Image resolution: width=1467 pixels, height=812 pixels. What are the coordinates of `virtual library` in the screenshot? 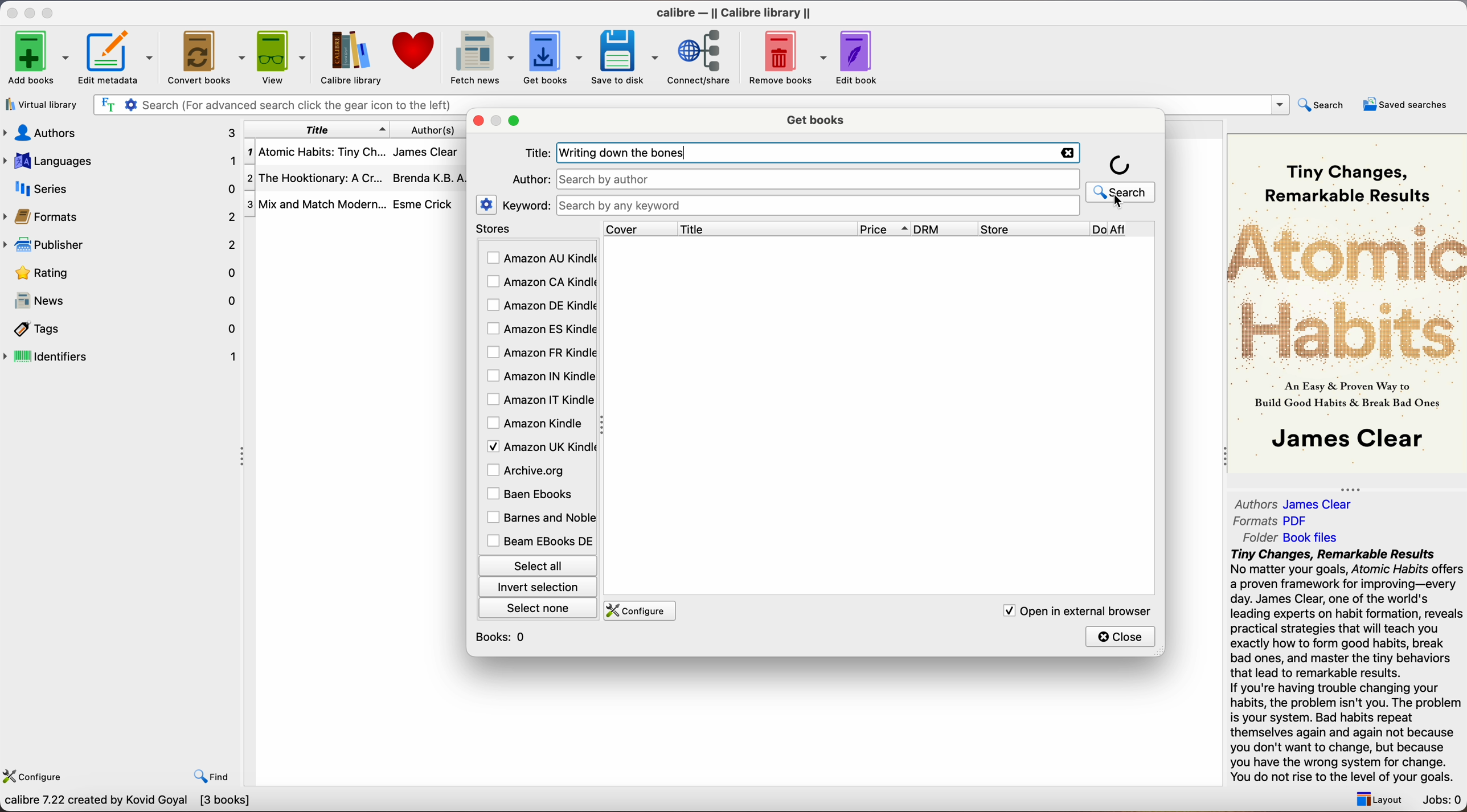 It's located at (42, 106).